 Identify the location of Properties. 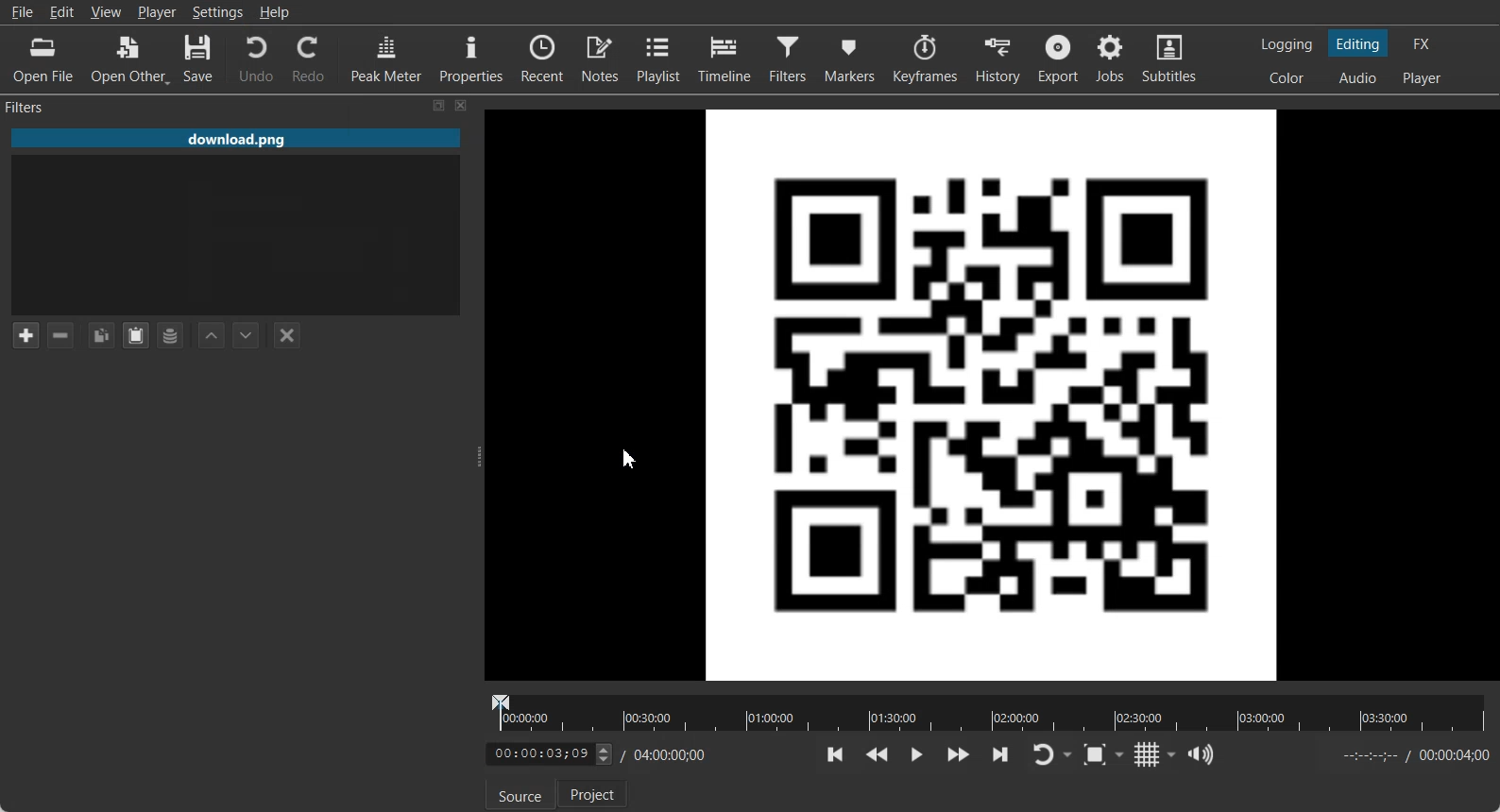
(471, 57).